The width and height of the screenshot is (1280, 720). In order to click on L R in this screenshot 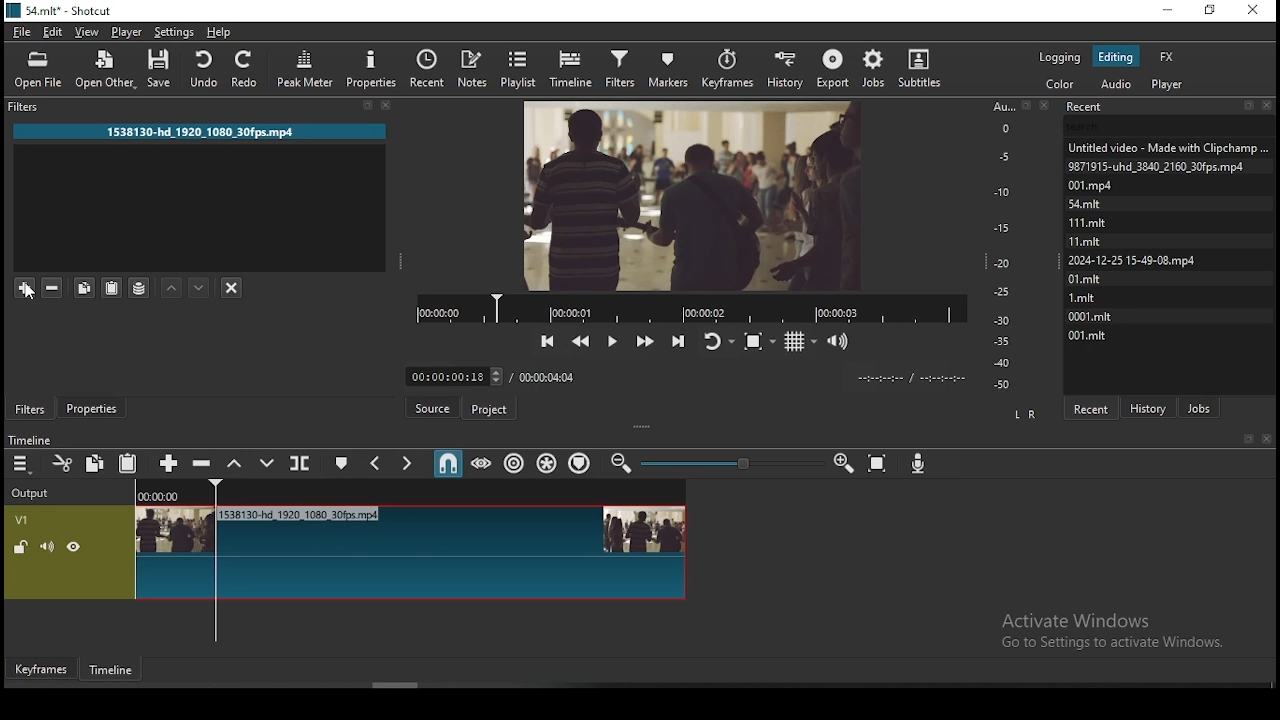, I will do `click(1025, 414)`.